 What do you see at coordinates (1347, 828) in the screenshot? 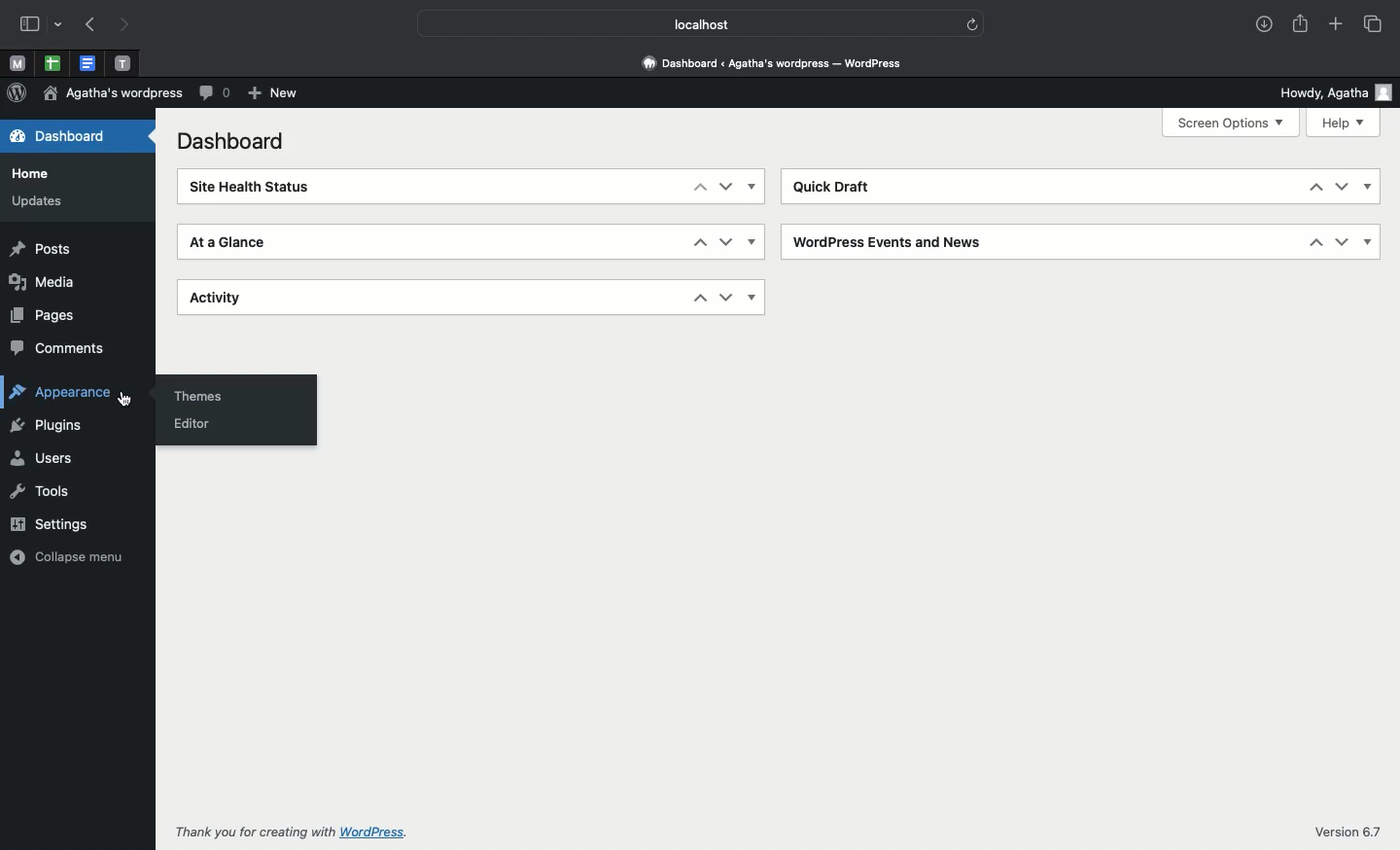
I see `Version 6.7` at bounding box center [1347, 828].